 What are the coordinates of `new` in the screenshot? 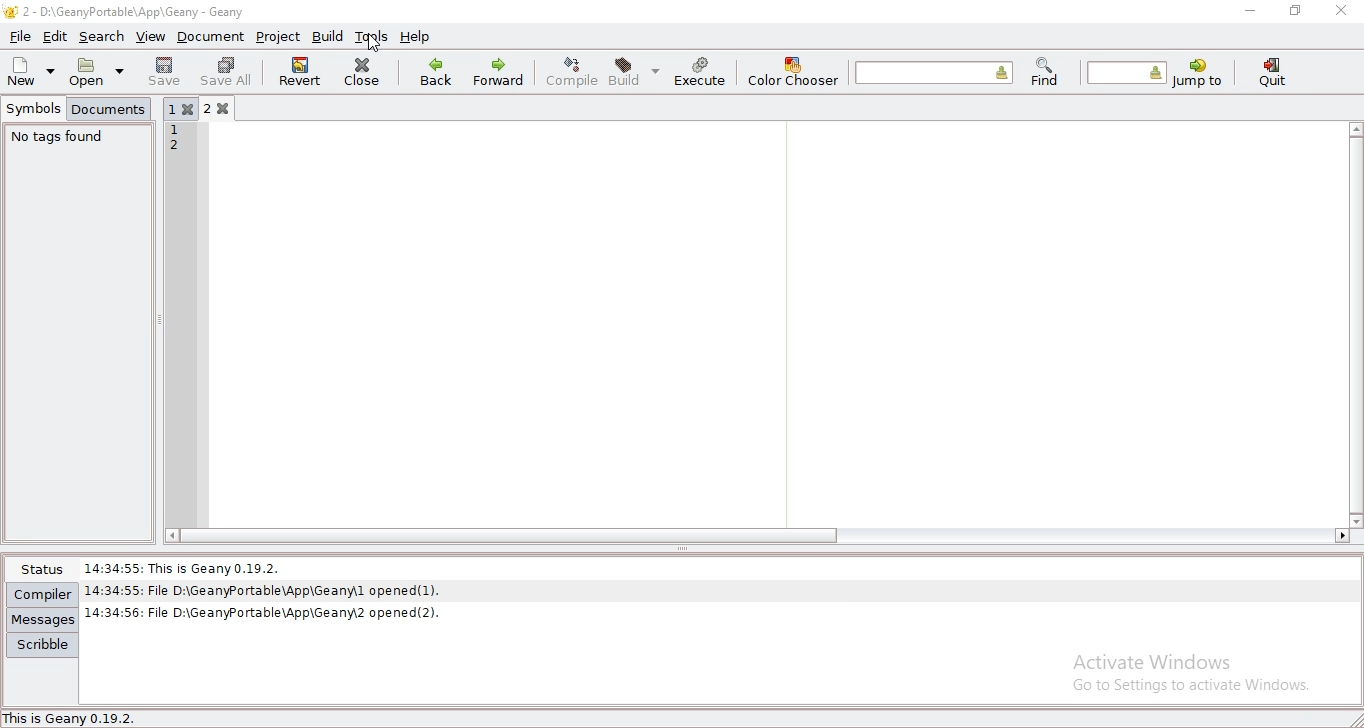 It's located at (24, 70).